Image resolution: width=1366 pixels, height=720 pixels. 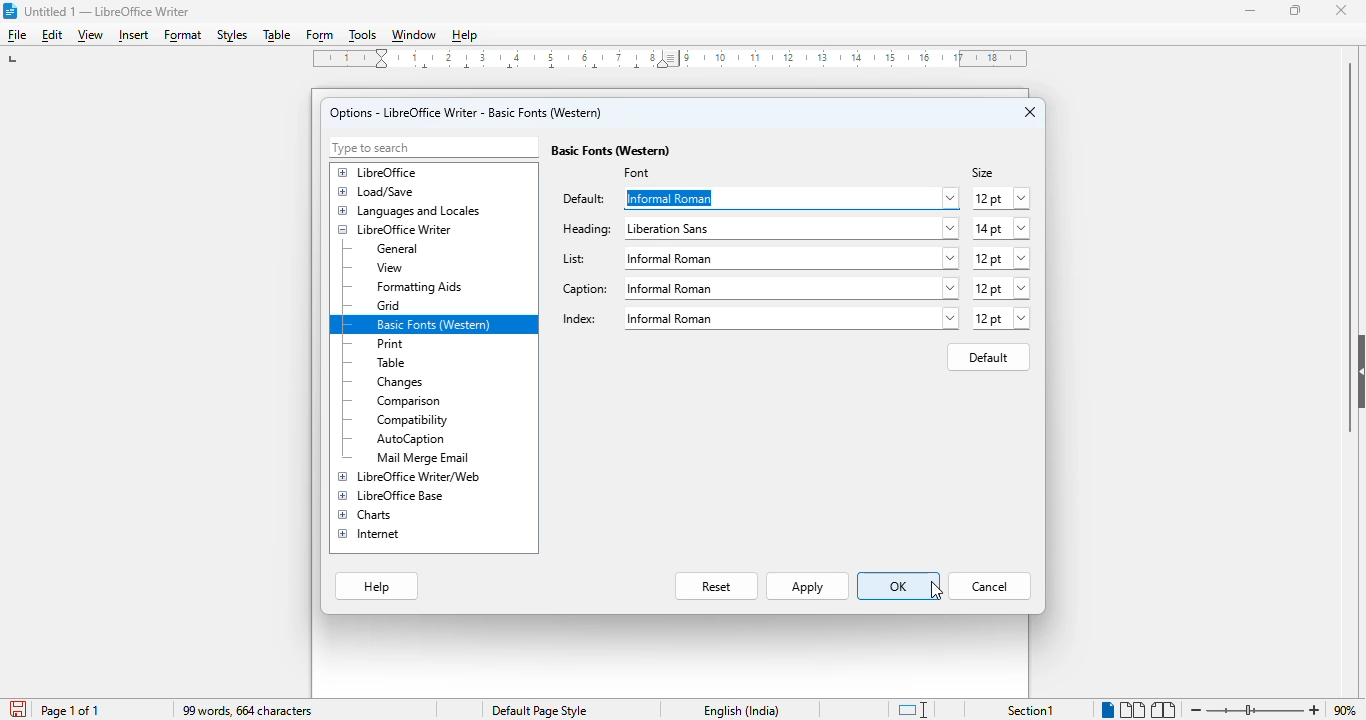 I want to click on view, so click(x=90, y=36).